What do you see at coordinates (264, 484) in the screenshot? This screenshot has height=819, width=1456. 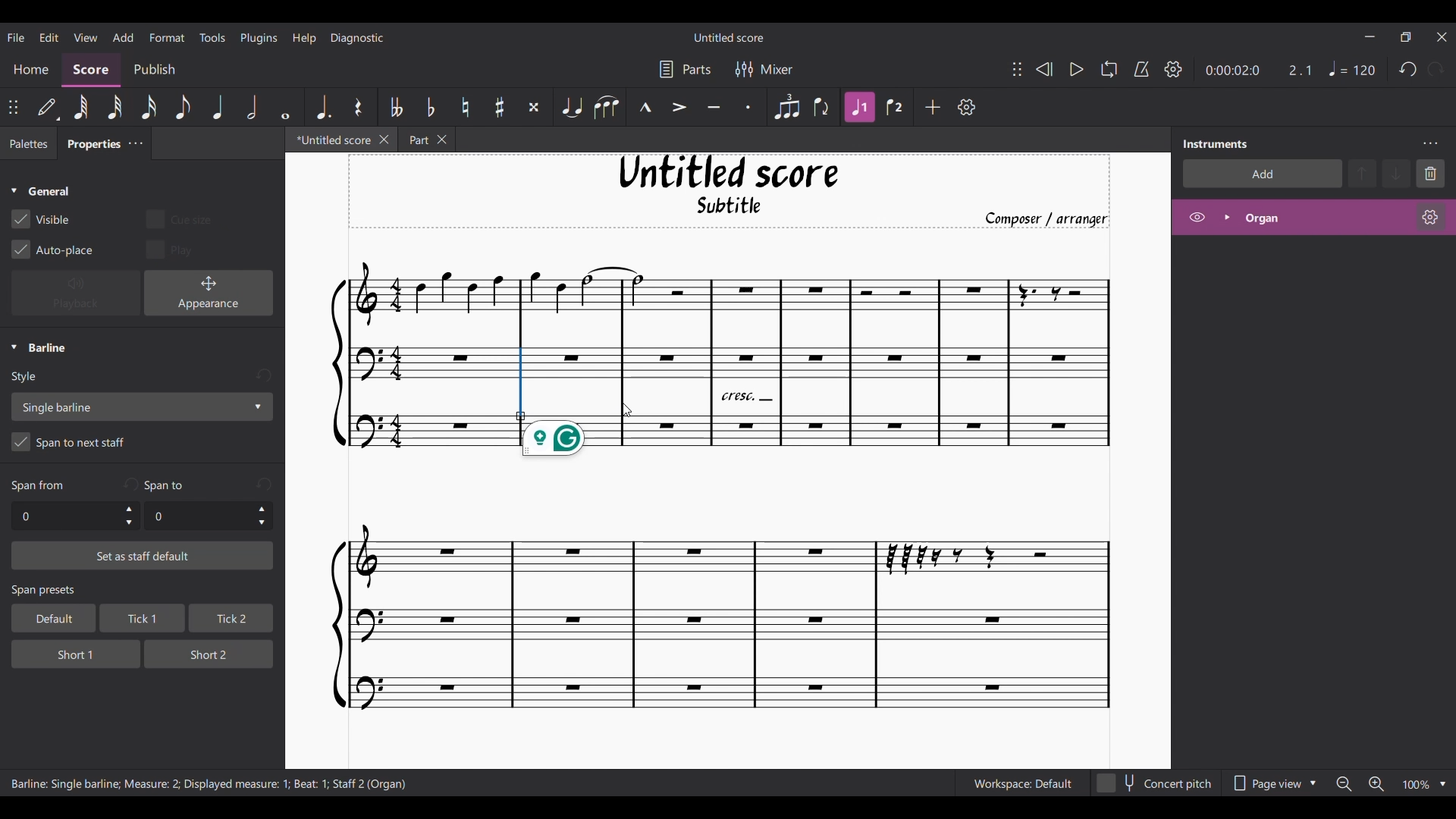 I see `Undo input made` at bounding box center [264, 484].